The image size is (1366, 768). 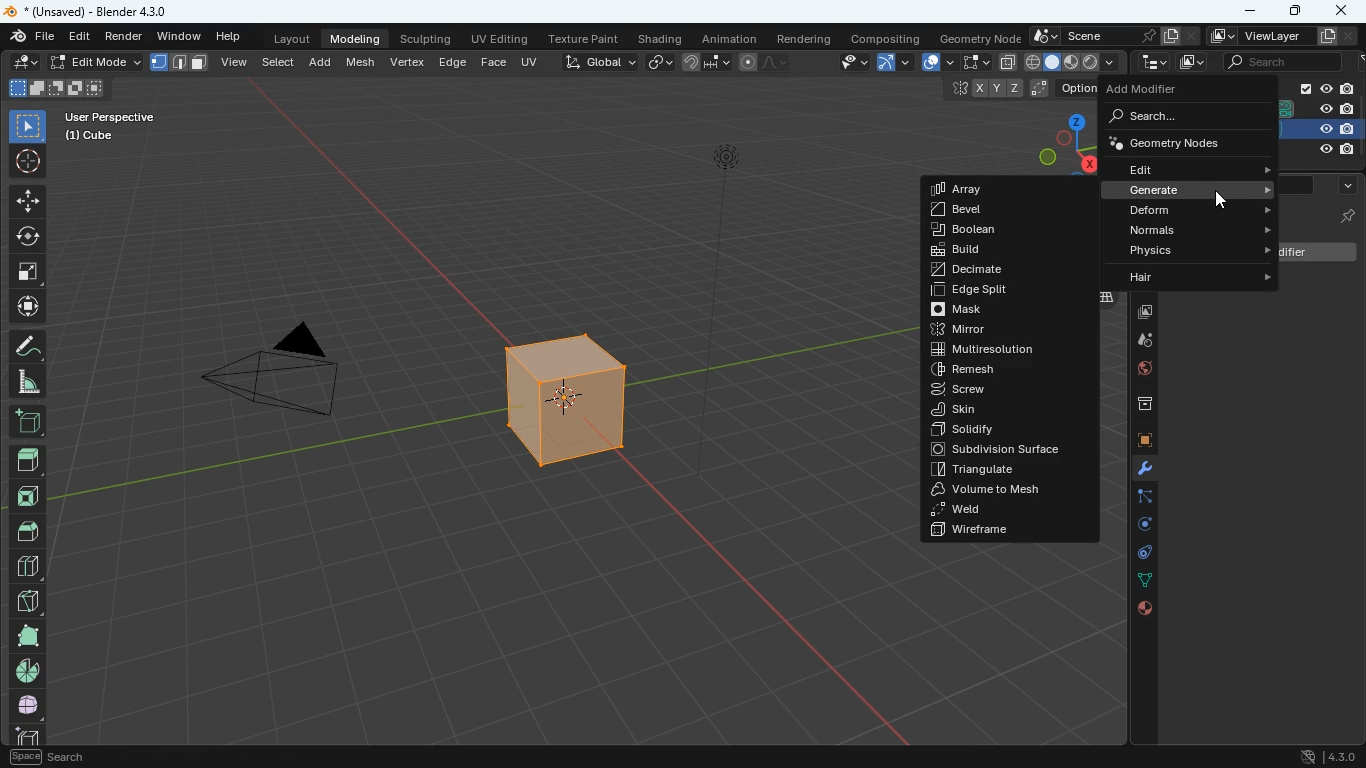 What do you see at coordinates (429, 39) in the screenshot?
I see `sculpting` at bounding box center [429, 39].